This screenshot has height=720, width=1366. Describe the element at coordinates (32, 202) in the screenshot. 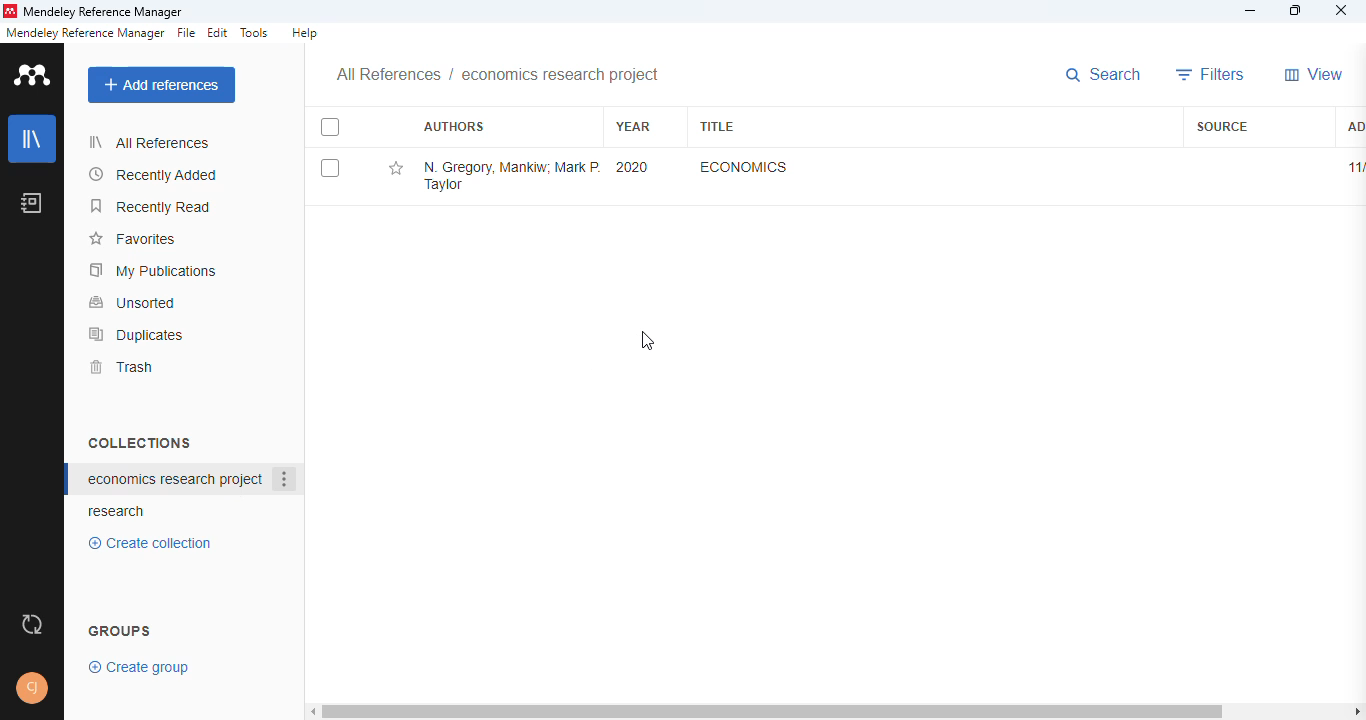

I see `notebook` at that location.